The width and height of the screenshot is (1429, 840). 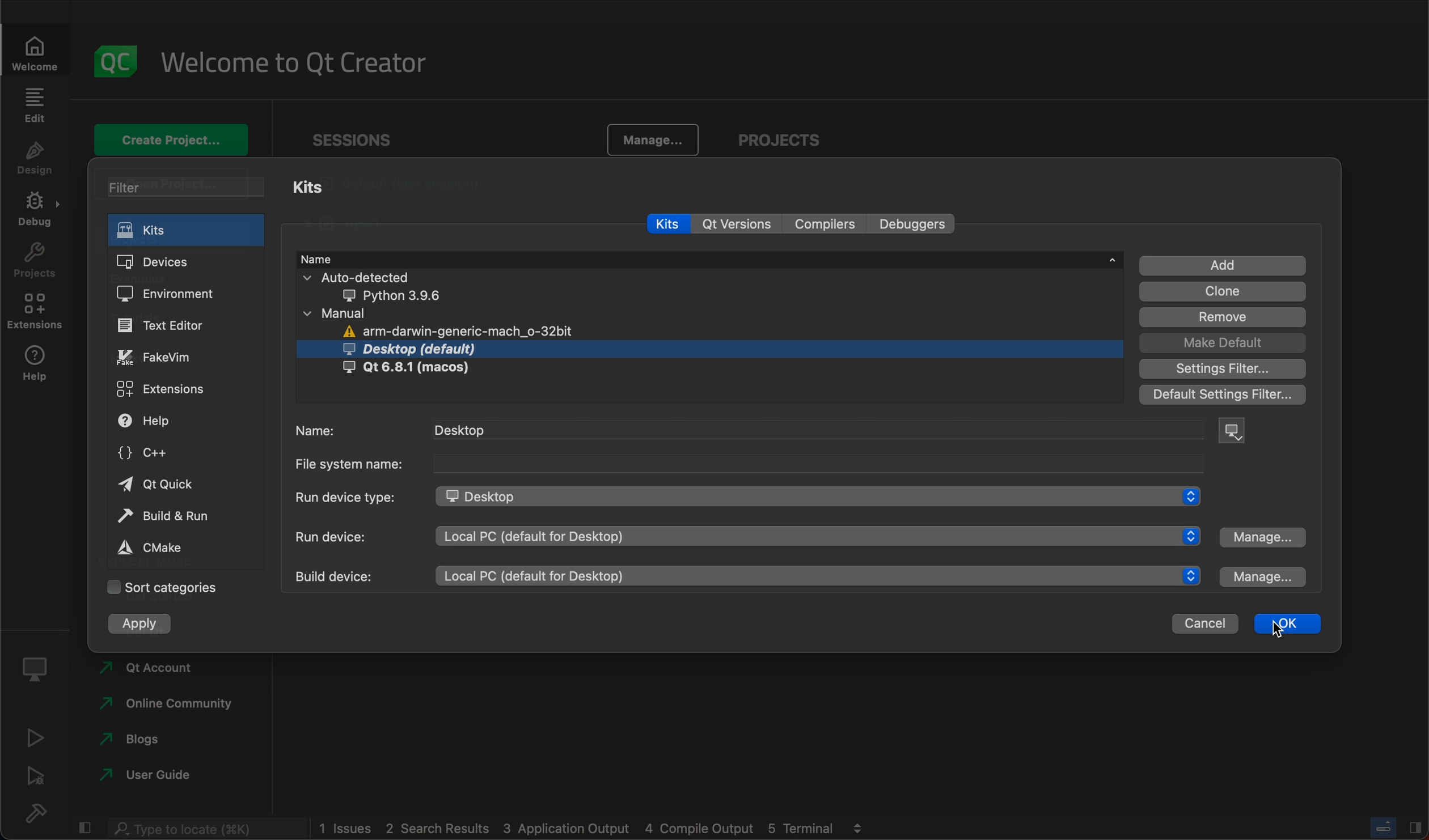 I want to click on qt quick, so click(x=164, y=485).